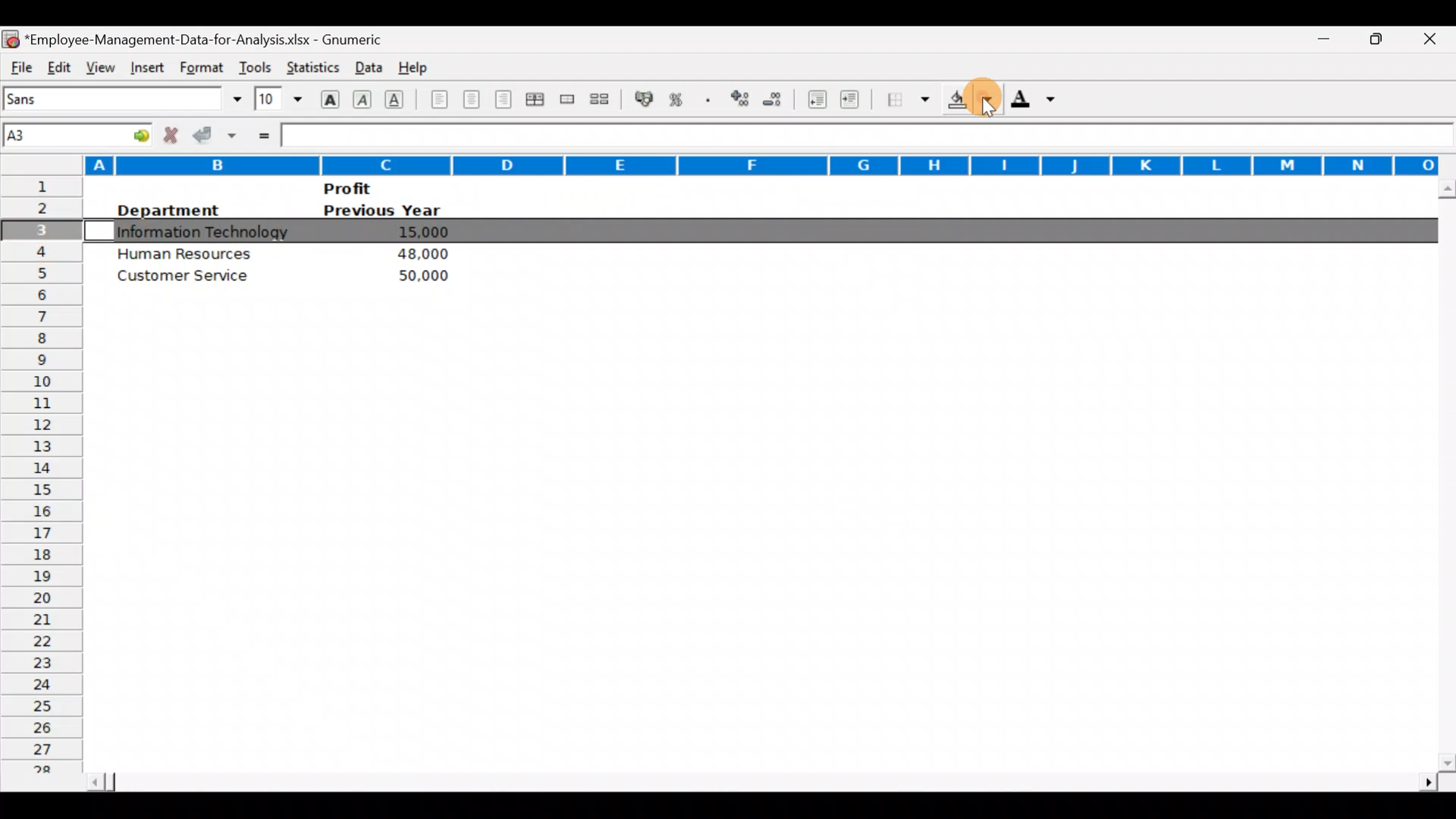 This screenshot has width=1456, height=819. What do you see at coordinates (414, 64) in the screenshot?
I see `Help` at bounding box center [414, 64].